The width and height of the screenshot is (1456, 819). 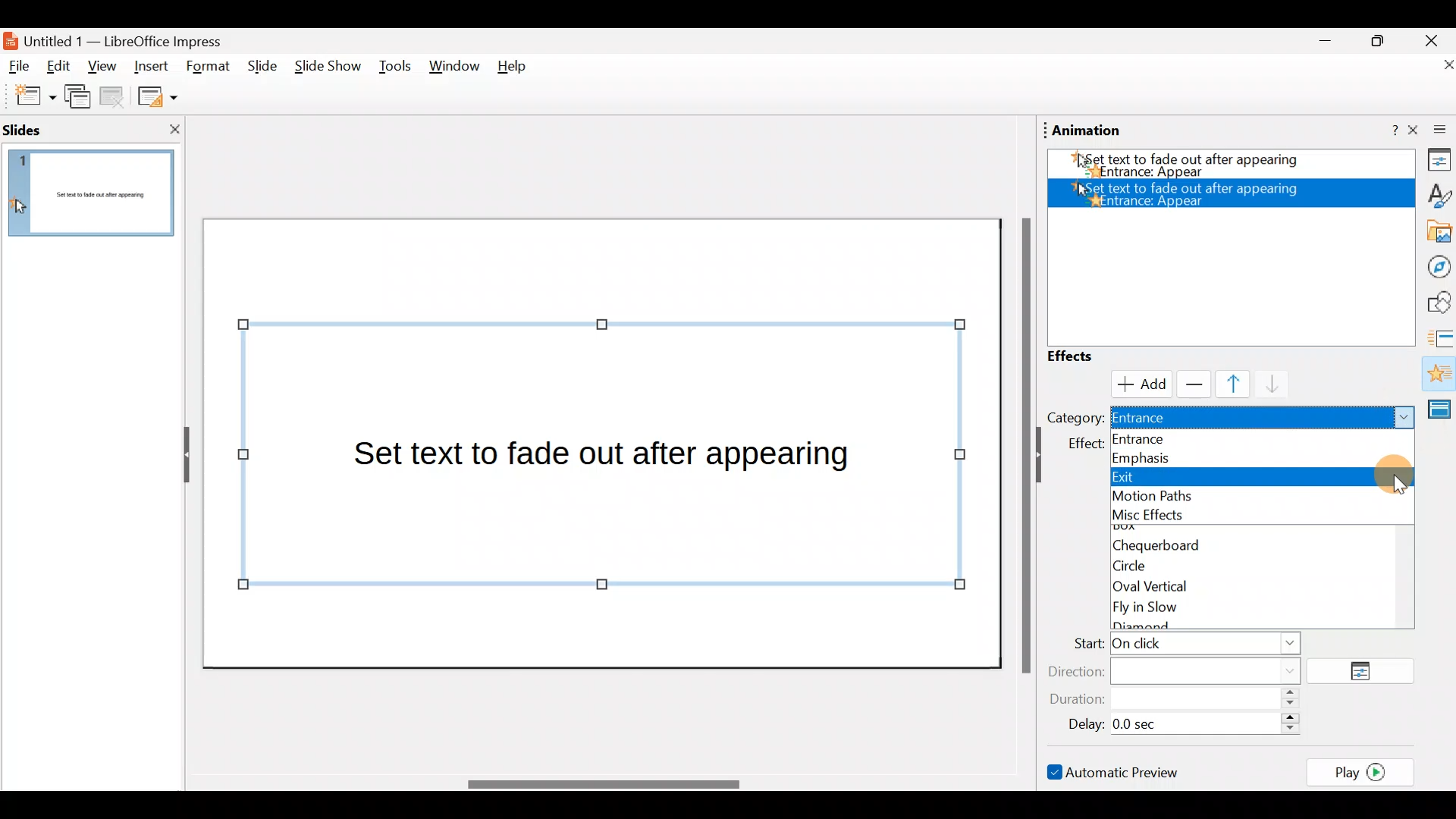 What do you see at coordinates (180, 456) in the screenshot?
I see `Hide` at bounding box center [180, 456].